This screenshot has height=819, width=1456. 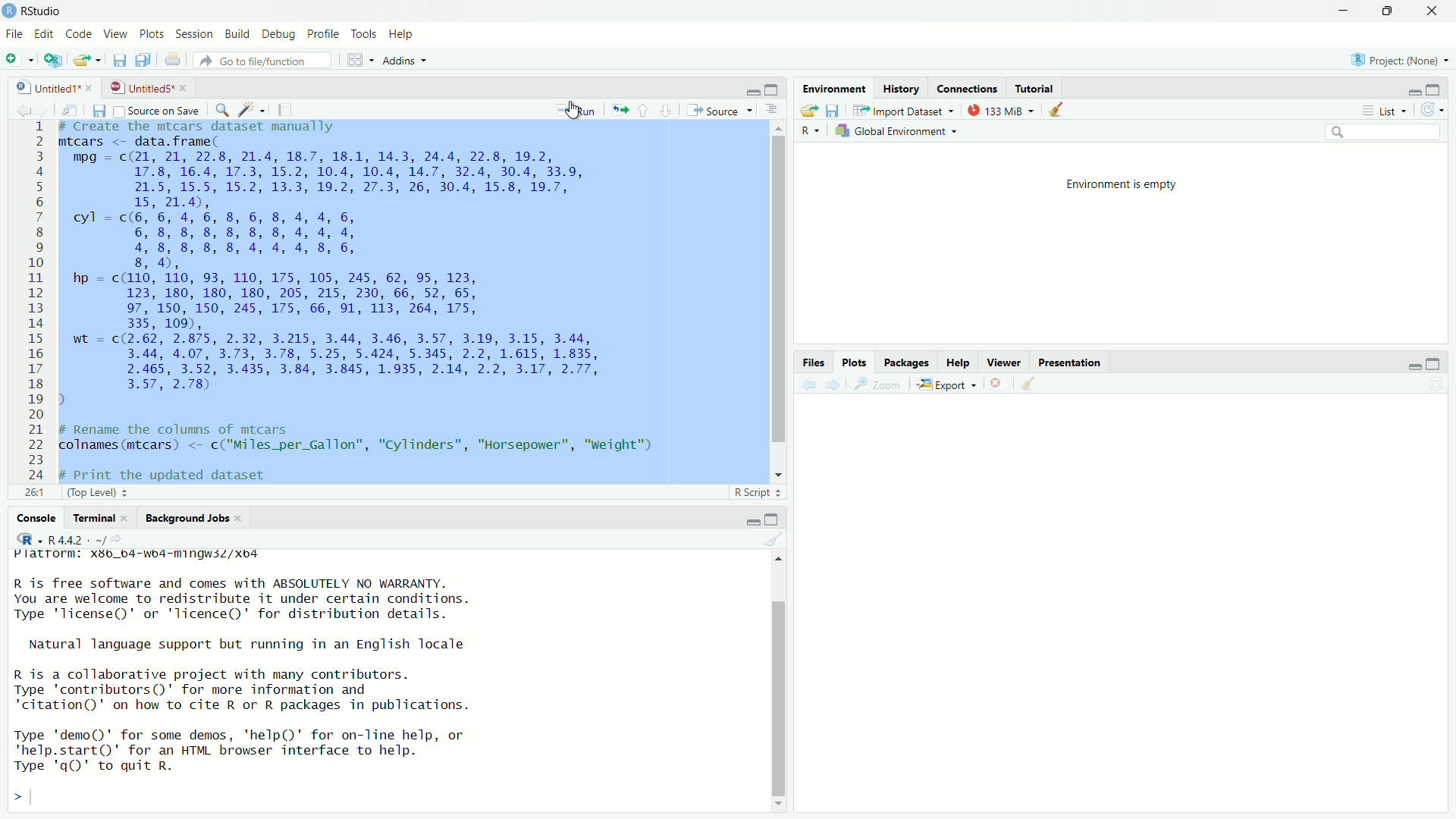 What do you see at coordinates (1342, 13) in the screenshot?
I see `minimise` at bounding box center [1342, 13].